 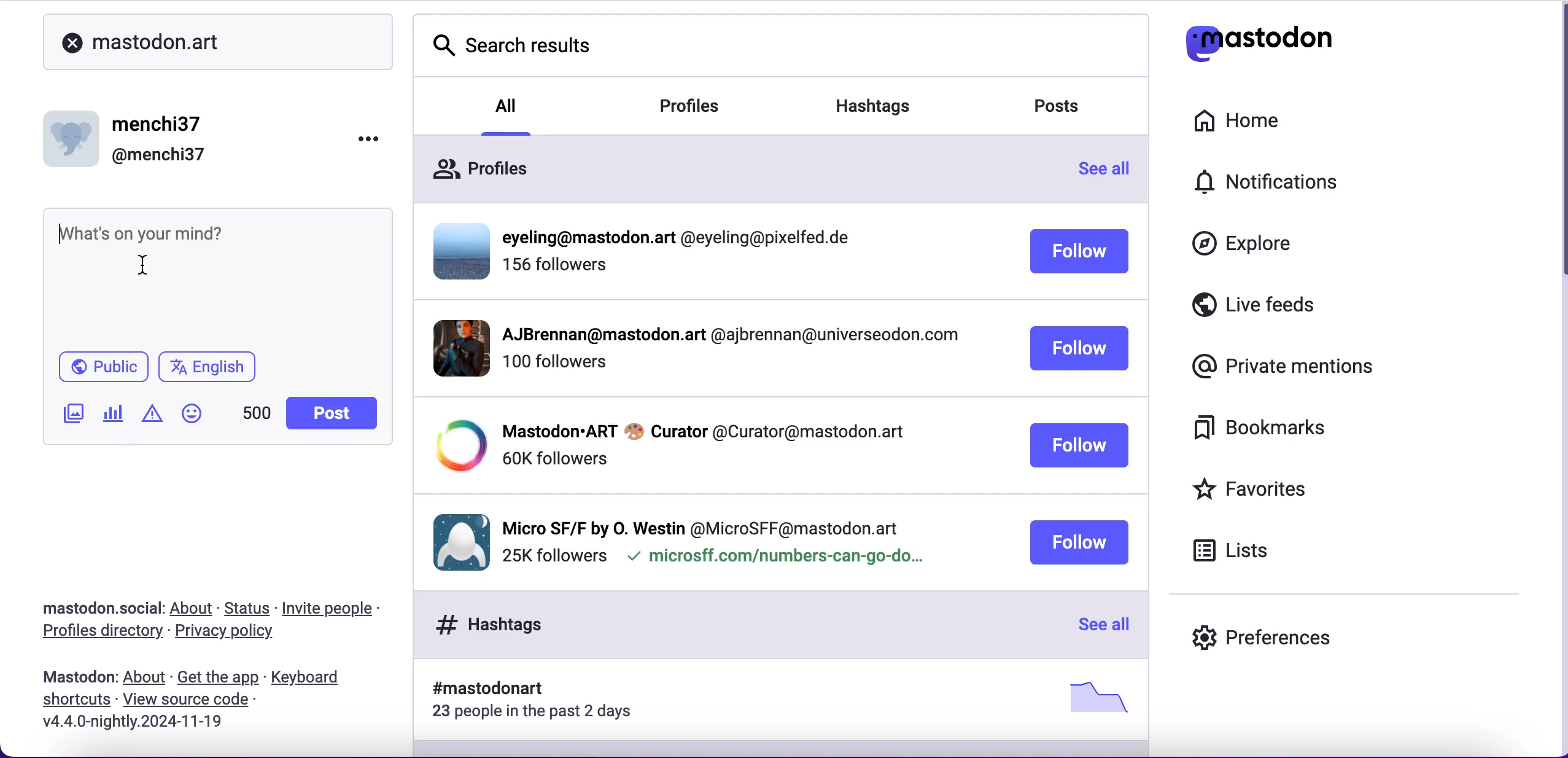 I want to click on follow, so click(x=1079, y=253).